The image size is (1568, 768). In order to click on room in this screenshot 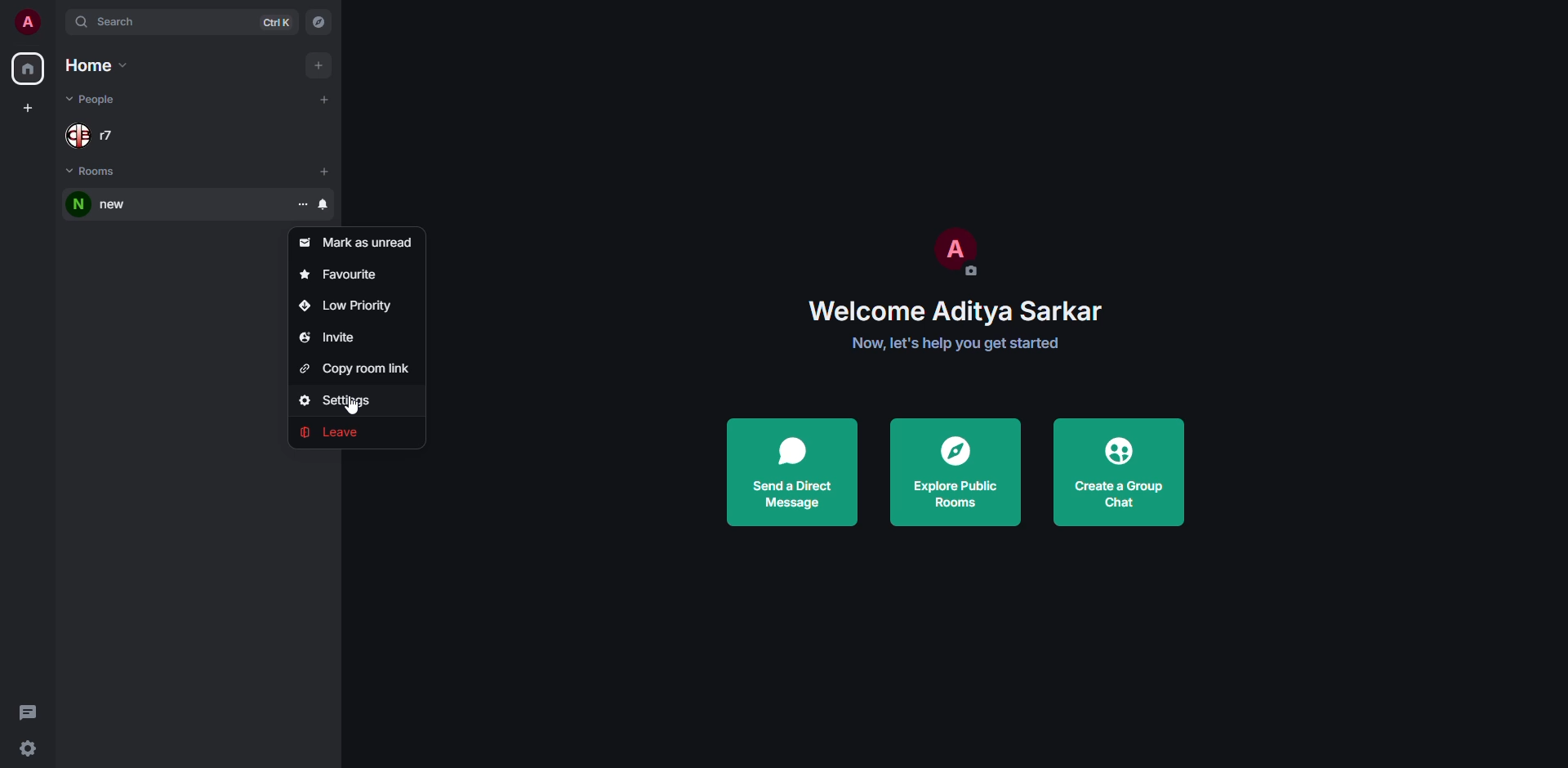, I will do `click(108, 205)`.